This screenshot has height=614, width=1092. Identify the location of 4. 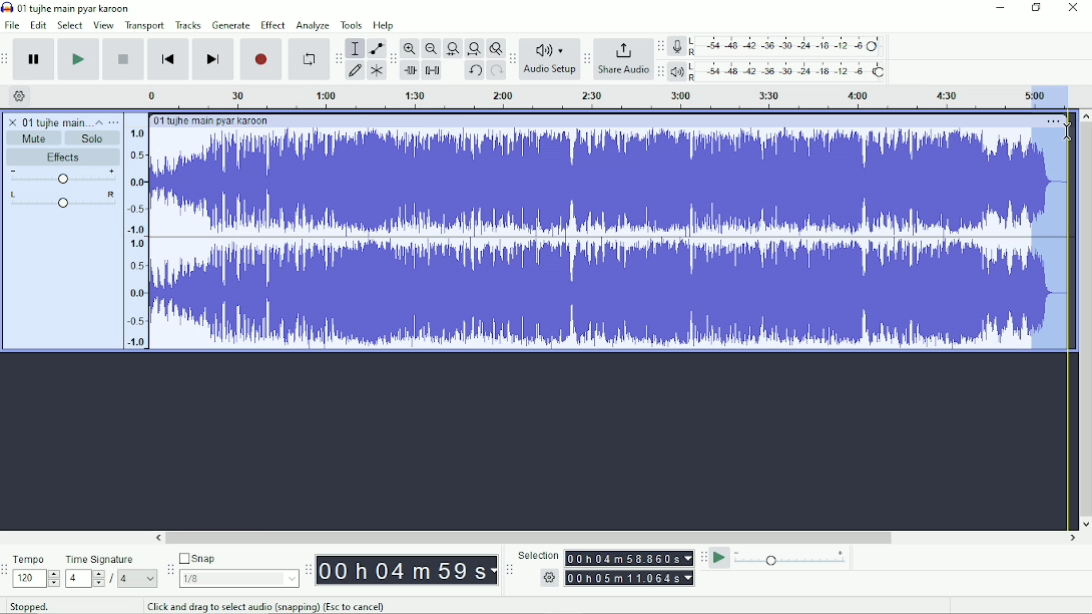
(84, 580).